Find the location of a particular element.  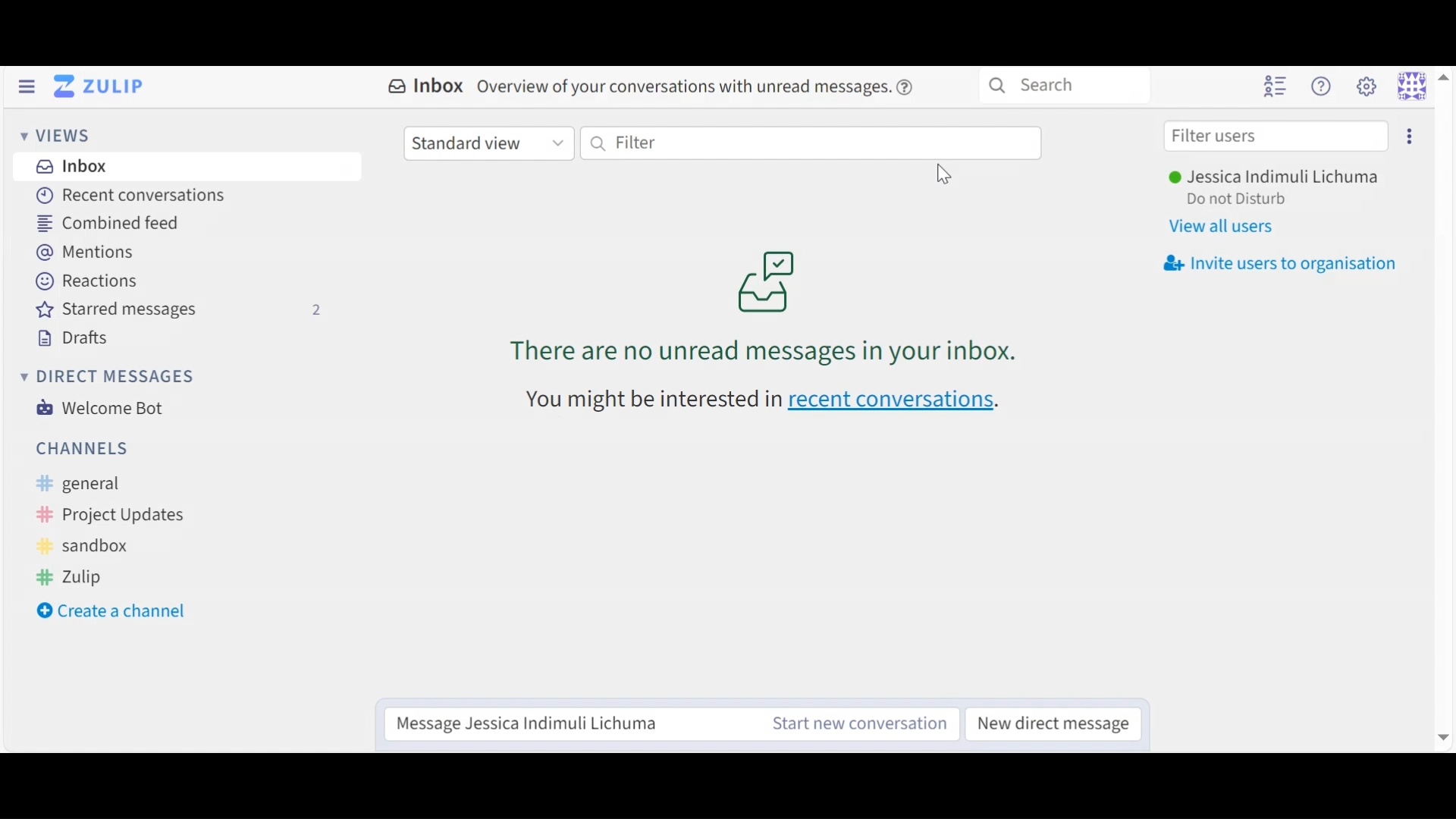

Mentions is located at coordinates (93, 253).